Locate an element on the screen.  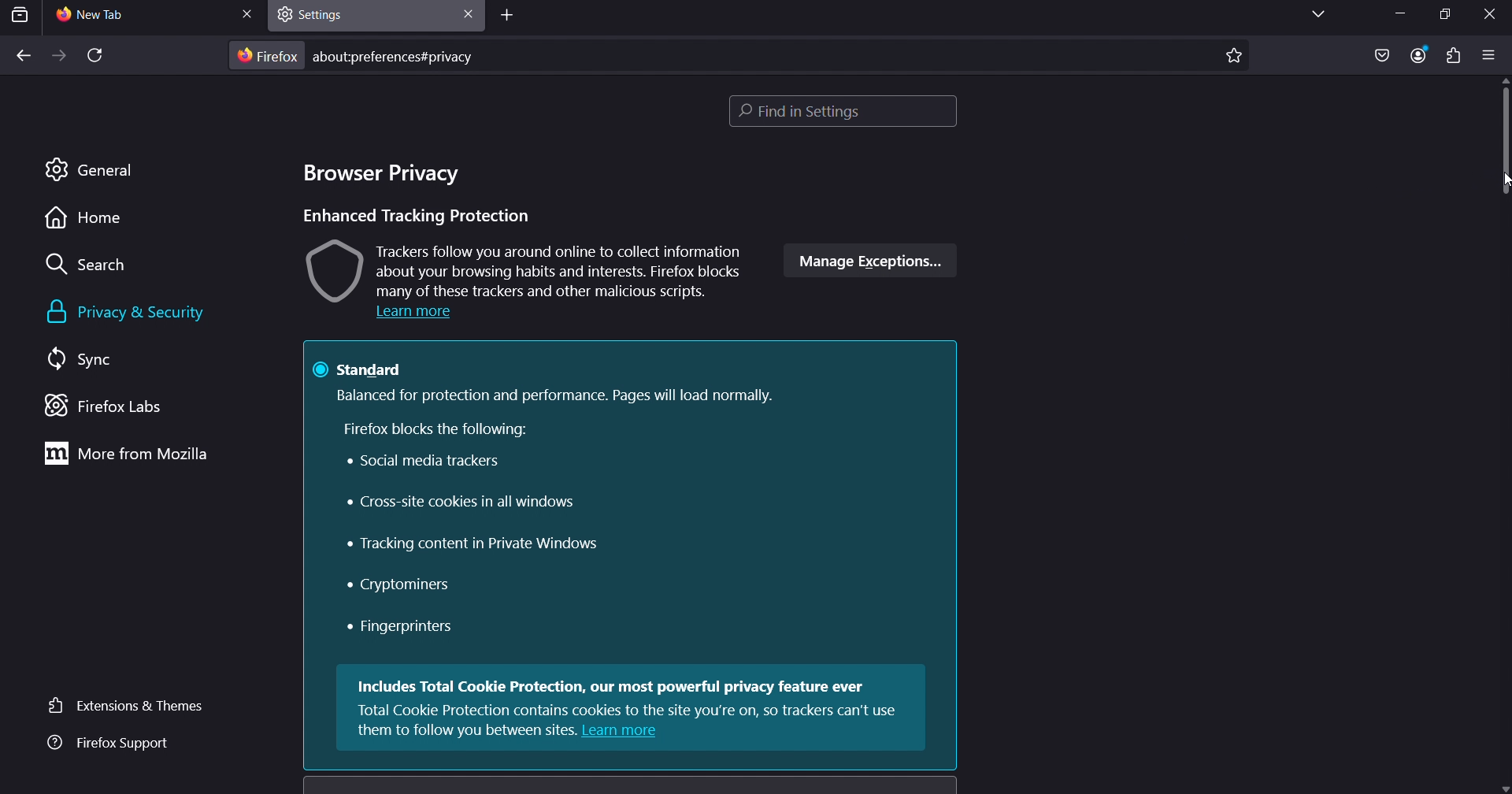
privacy & security is located at coordinates (143, 313).